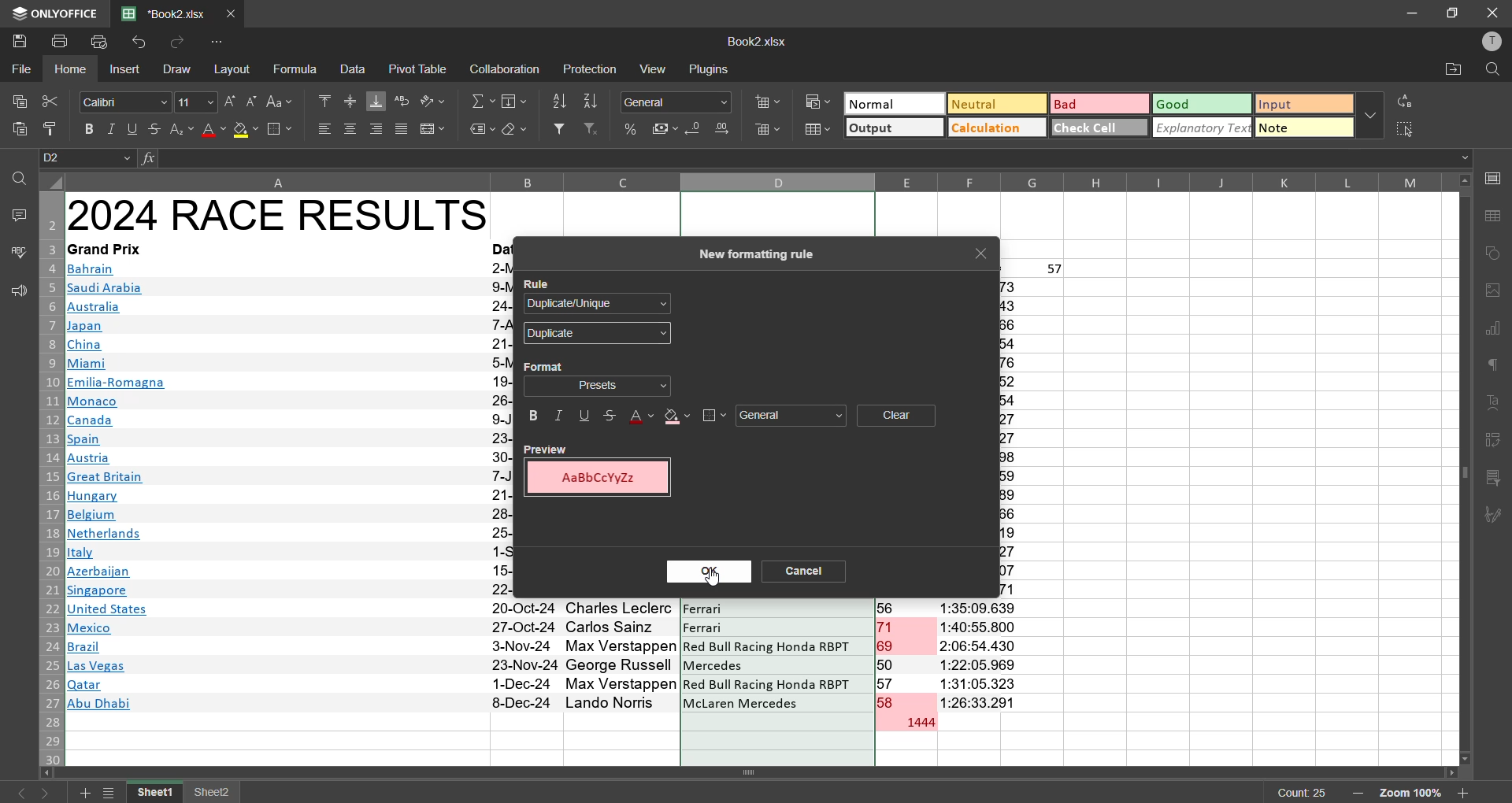  I want to click on copy style, so click(56, 129).